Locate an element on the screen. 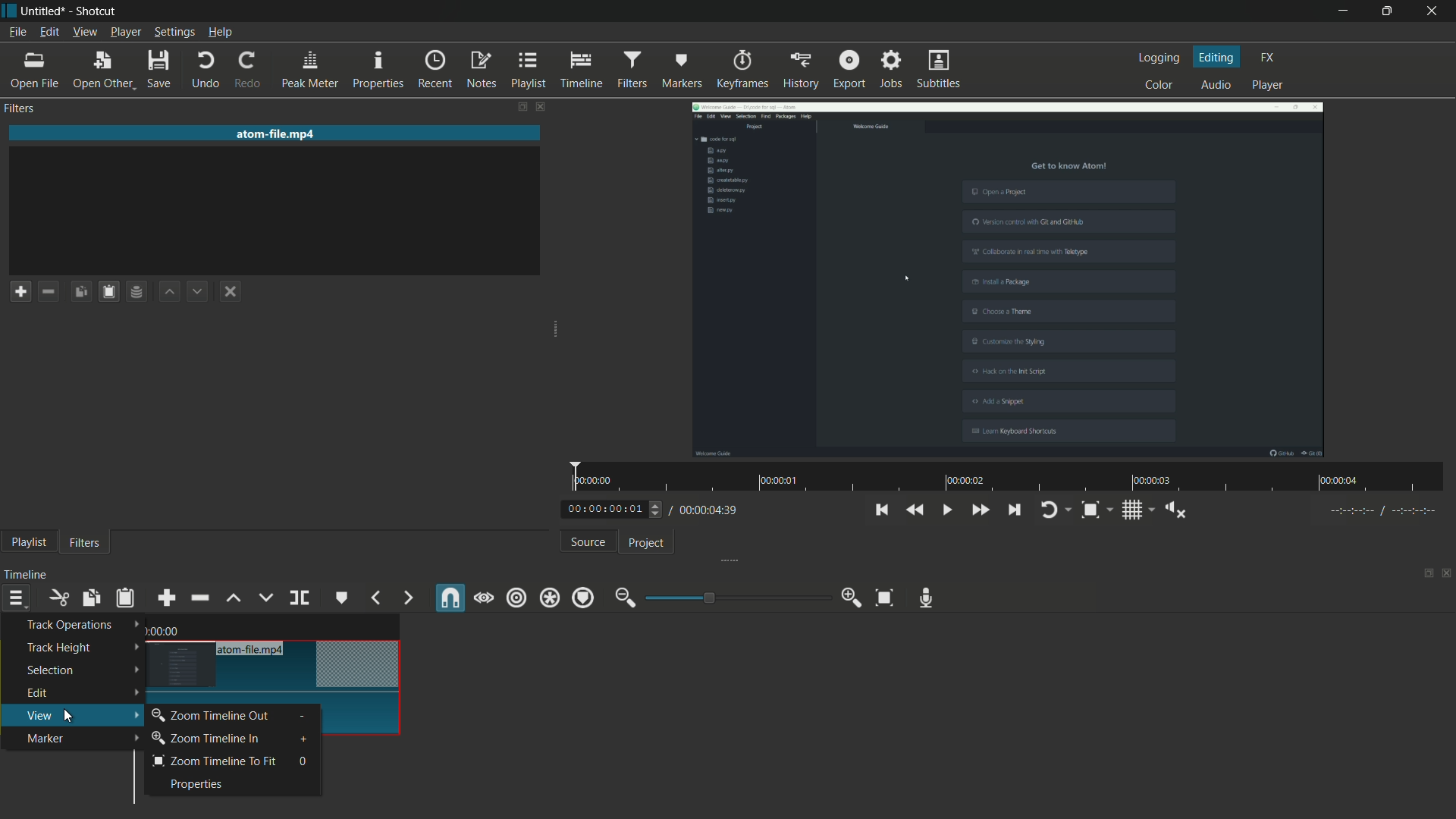  zoom timeline out is located at coordinates (209, 716).